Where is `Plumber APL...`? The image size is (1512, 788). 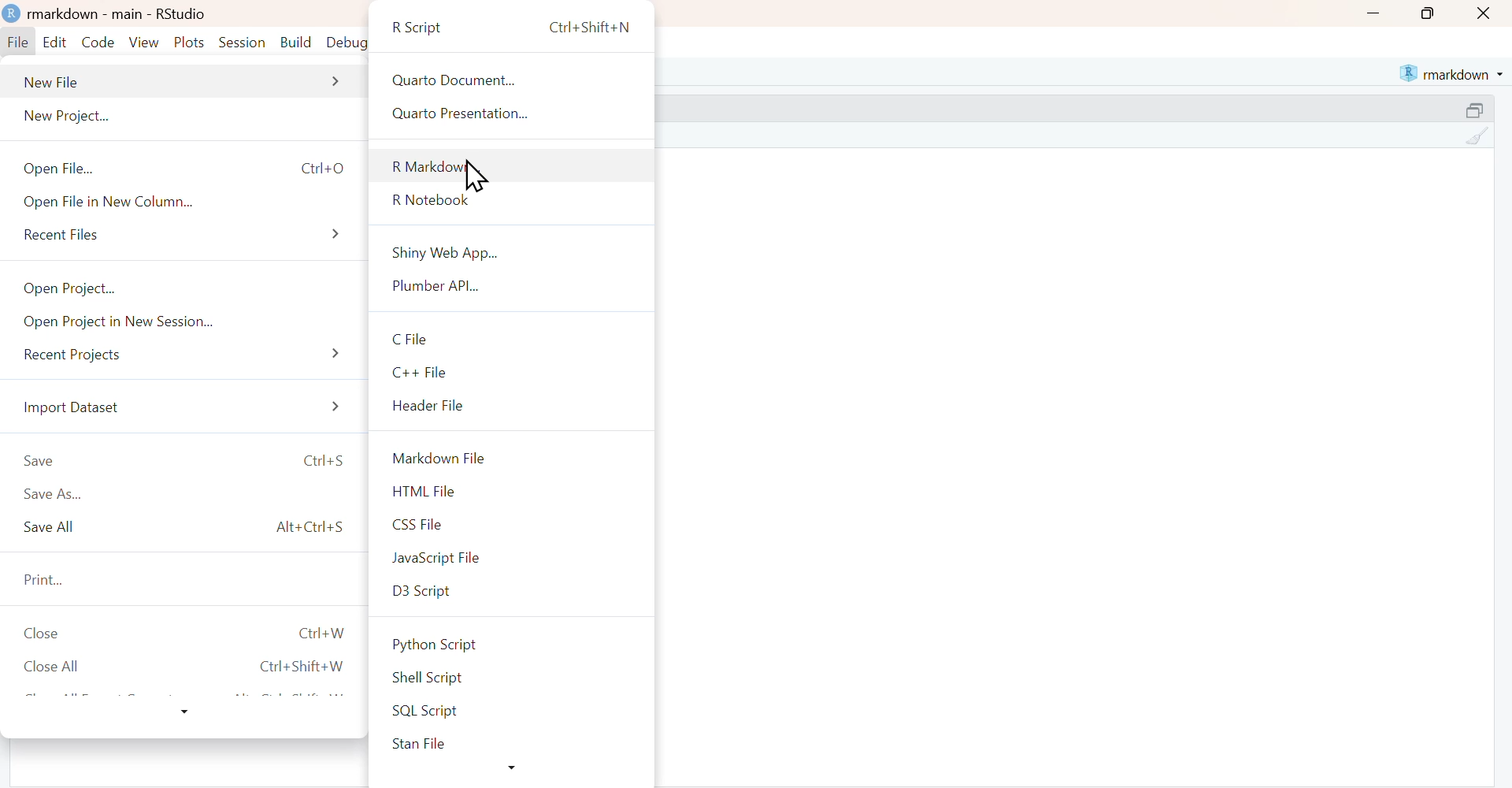 Plumber APL... is located at coordinates (510, 287).